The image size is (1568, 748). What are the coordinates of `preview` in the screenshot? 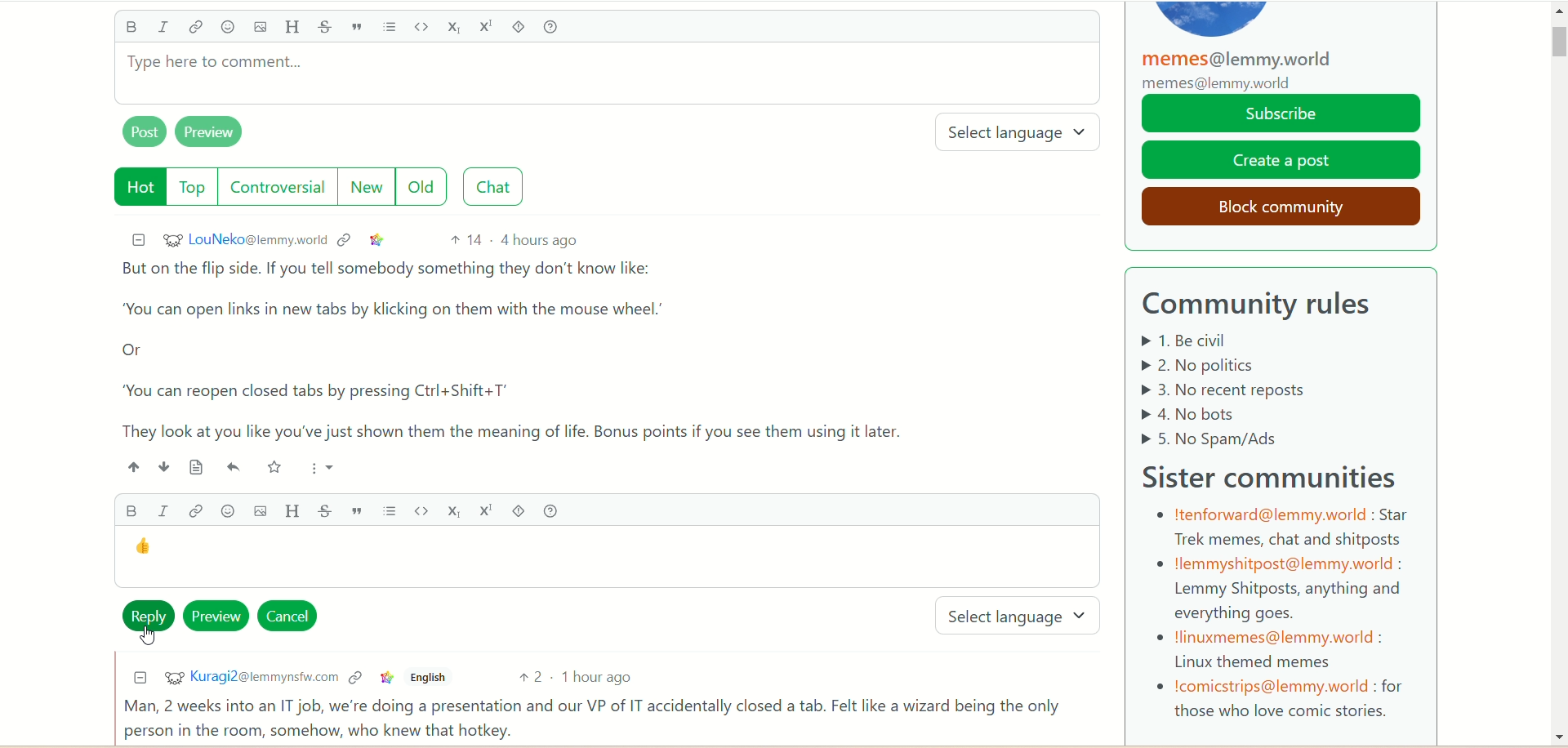 It's located at (217, 134).